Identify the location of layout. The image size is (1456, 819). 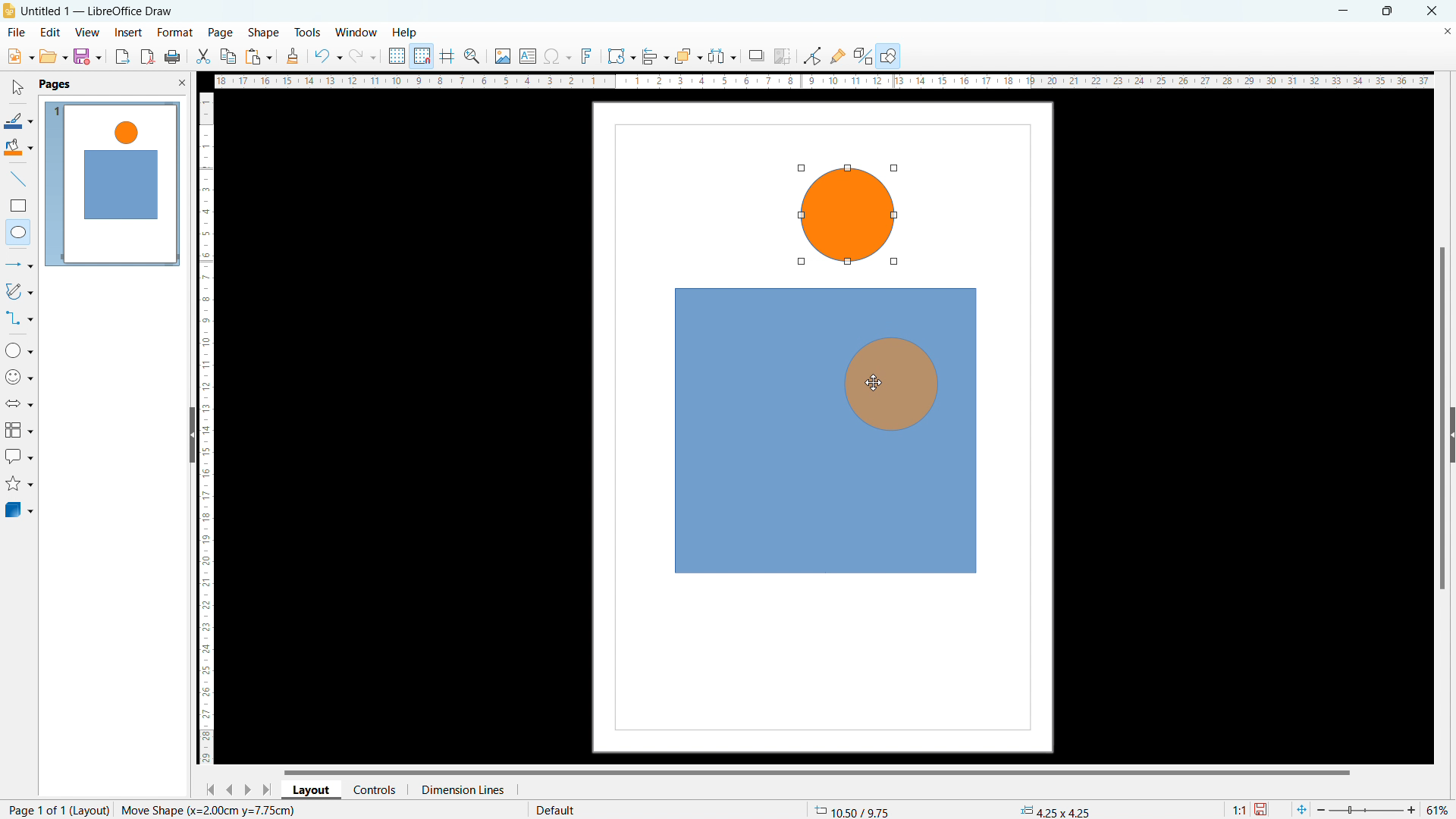
(312, 790).